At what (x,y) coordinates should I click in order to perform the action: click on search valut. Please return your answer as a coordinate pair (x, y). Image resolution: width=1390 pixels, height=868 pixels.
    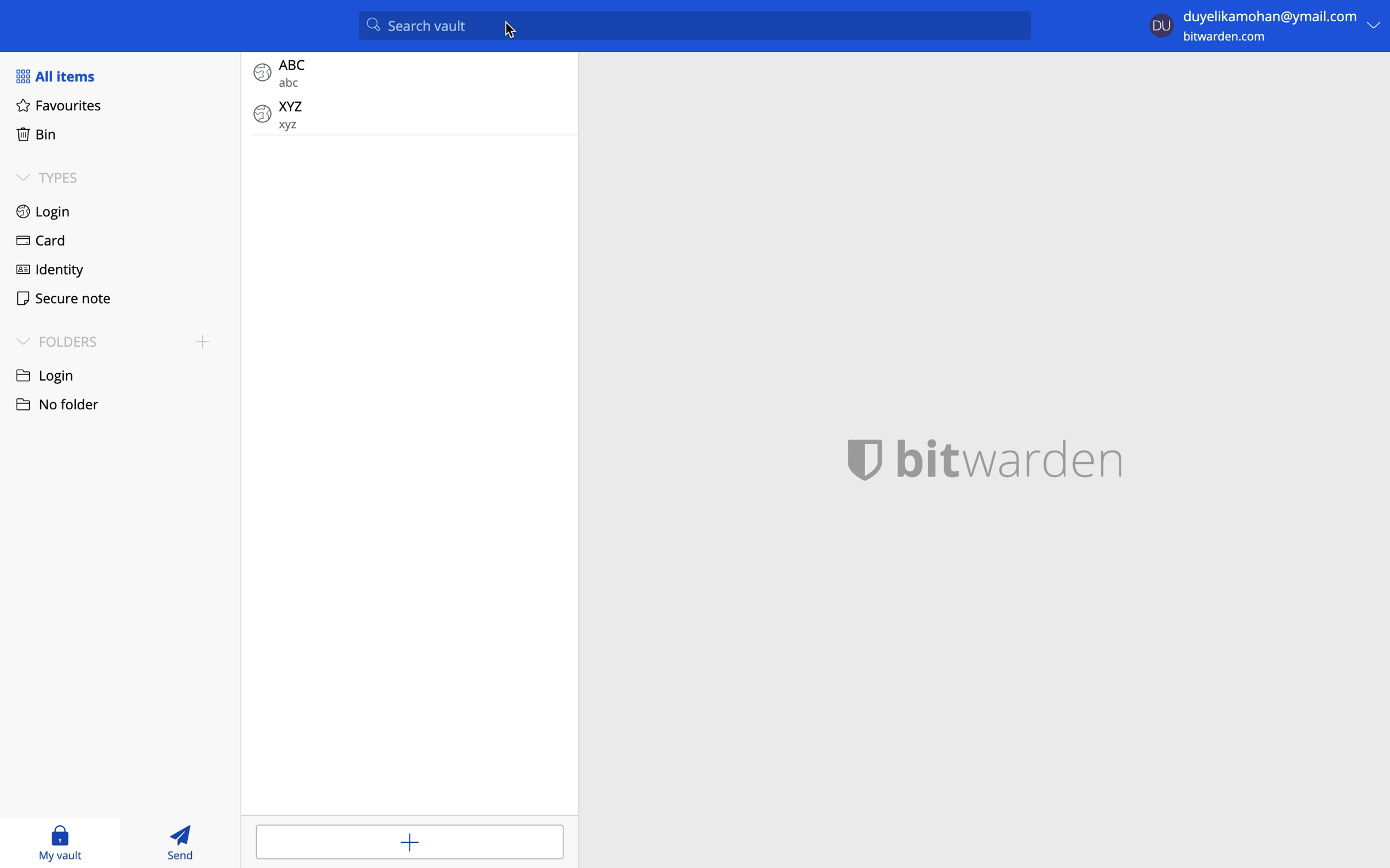
    Looking at the image, I should click on (700, 25).